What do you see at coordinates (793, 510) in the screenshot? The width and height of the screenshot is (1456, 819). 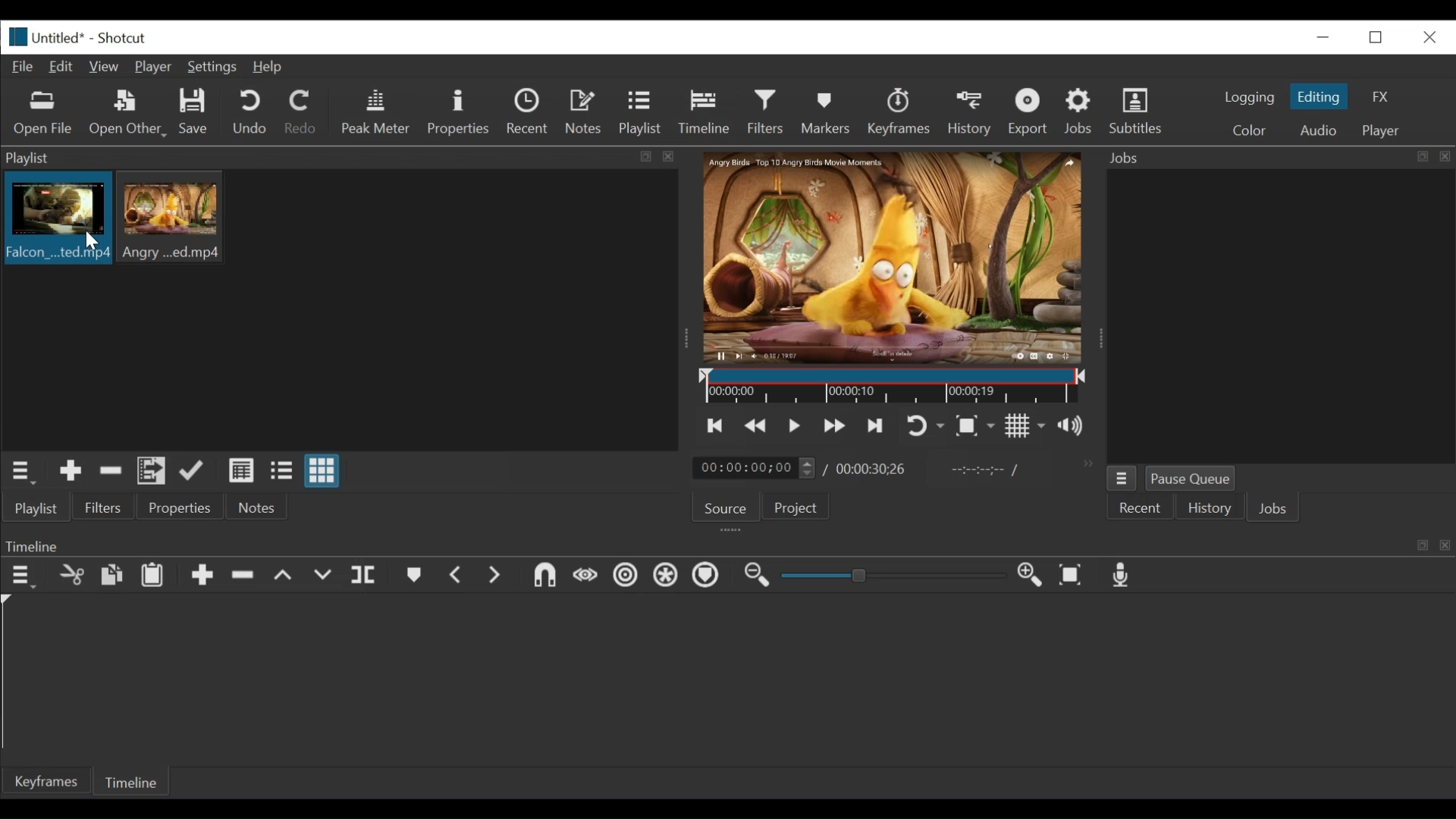 I see `Project` at bounding box center [793, 510].